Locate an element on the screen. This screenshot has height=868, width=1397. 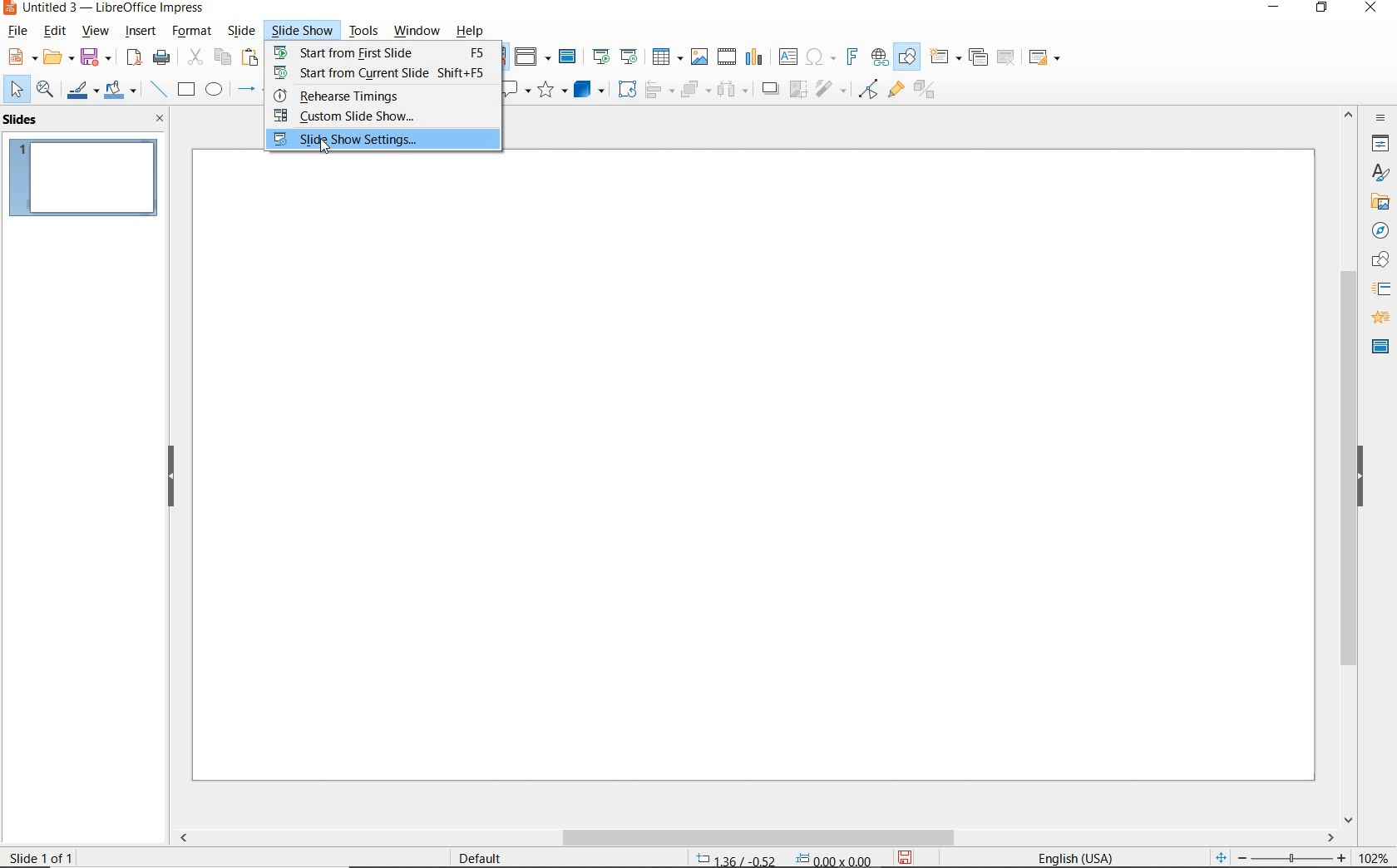
COPY is located at coordinates (222, 58).